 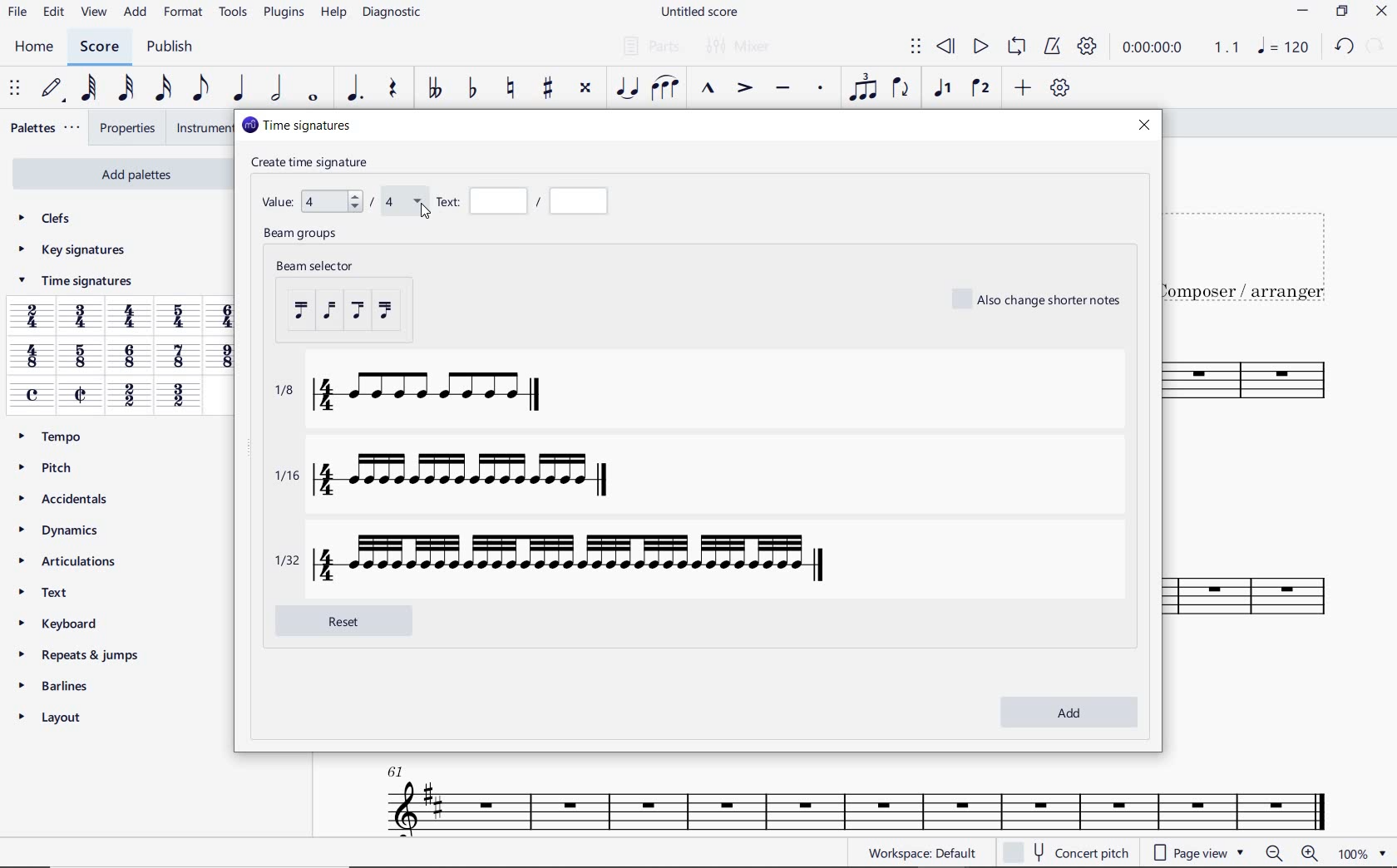 What do you see at coordinates (56, 717) in the screenshot?
I see `LAYOUT` at bounding box center [56, 717].